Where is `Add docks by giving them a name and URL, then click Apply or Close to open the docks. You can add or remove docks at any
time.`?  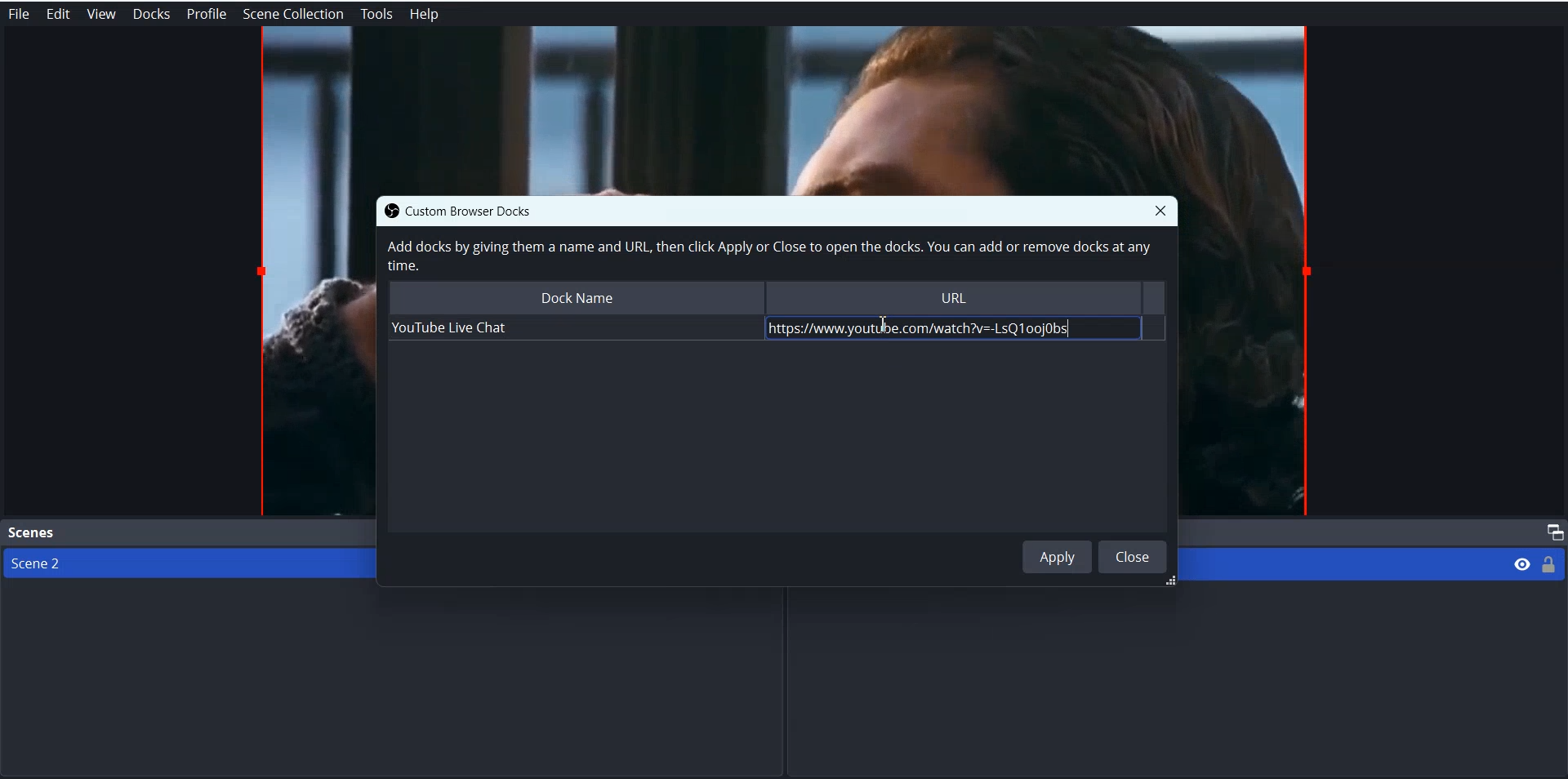
Add docks by giving them a name and URL, then click Apply or Close to open the docks. You can add or remove docks at any
time. is located at coordinates (767, 256).